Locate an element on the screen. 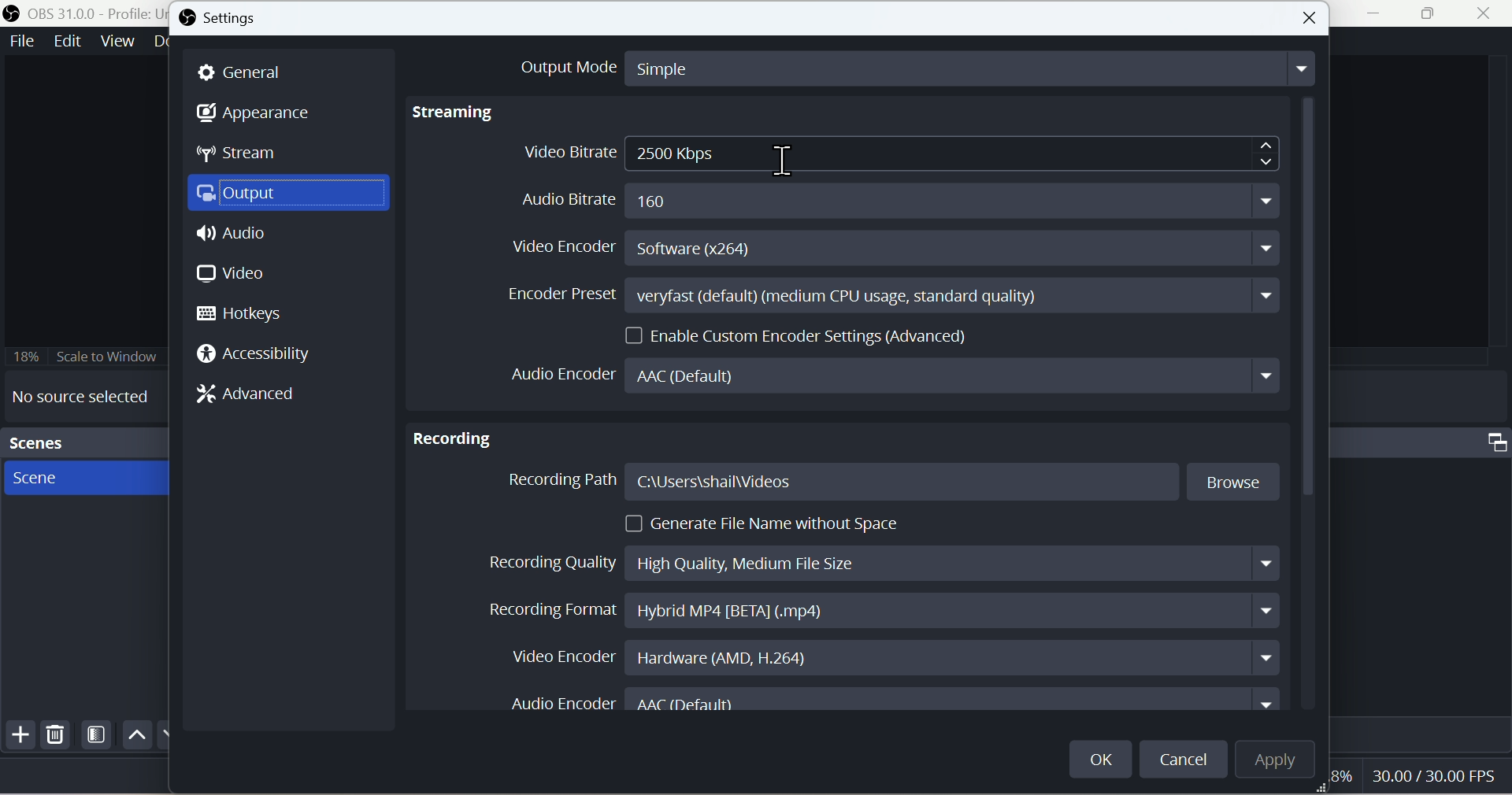  cursor is located at coordinates (791, 157).